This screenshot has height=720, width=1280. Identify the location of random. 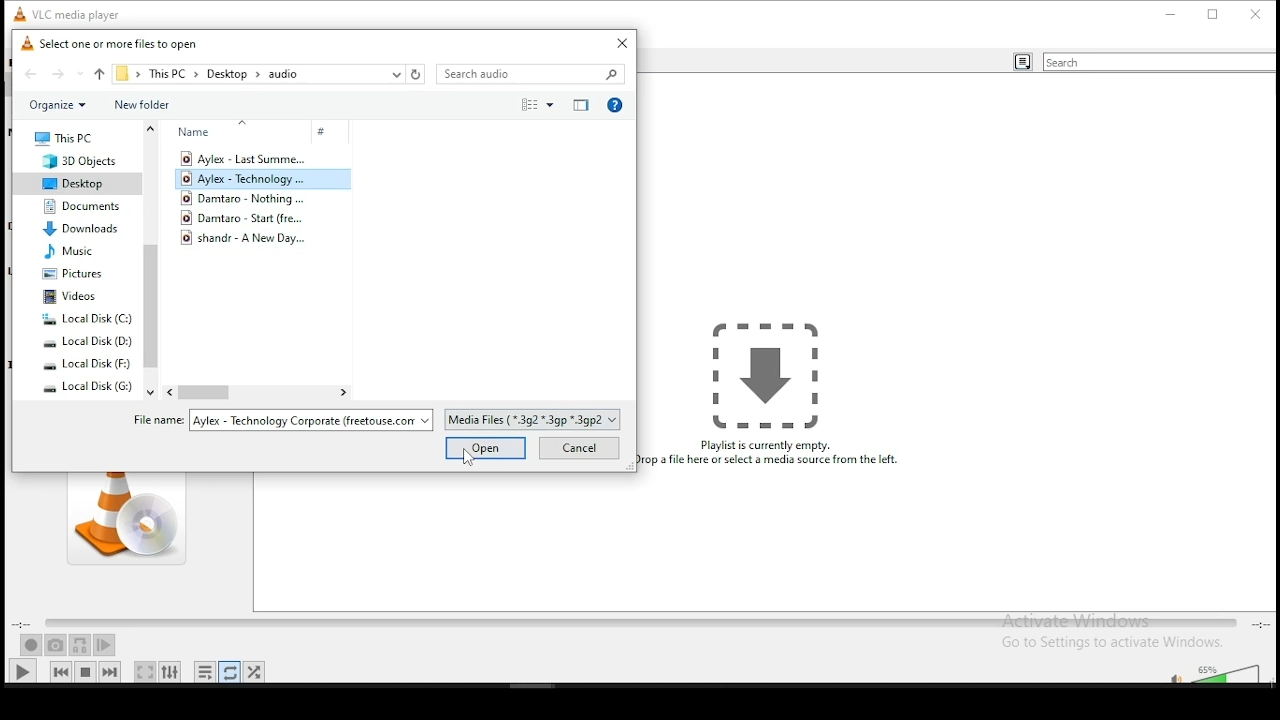
(254, 672).